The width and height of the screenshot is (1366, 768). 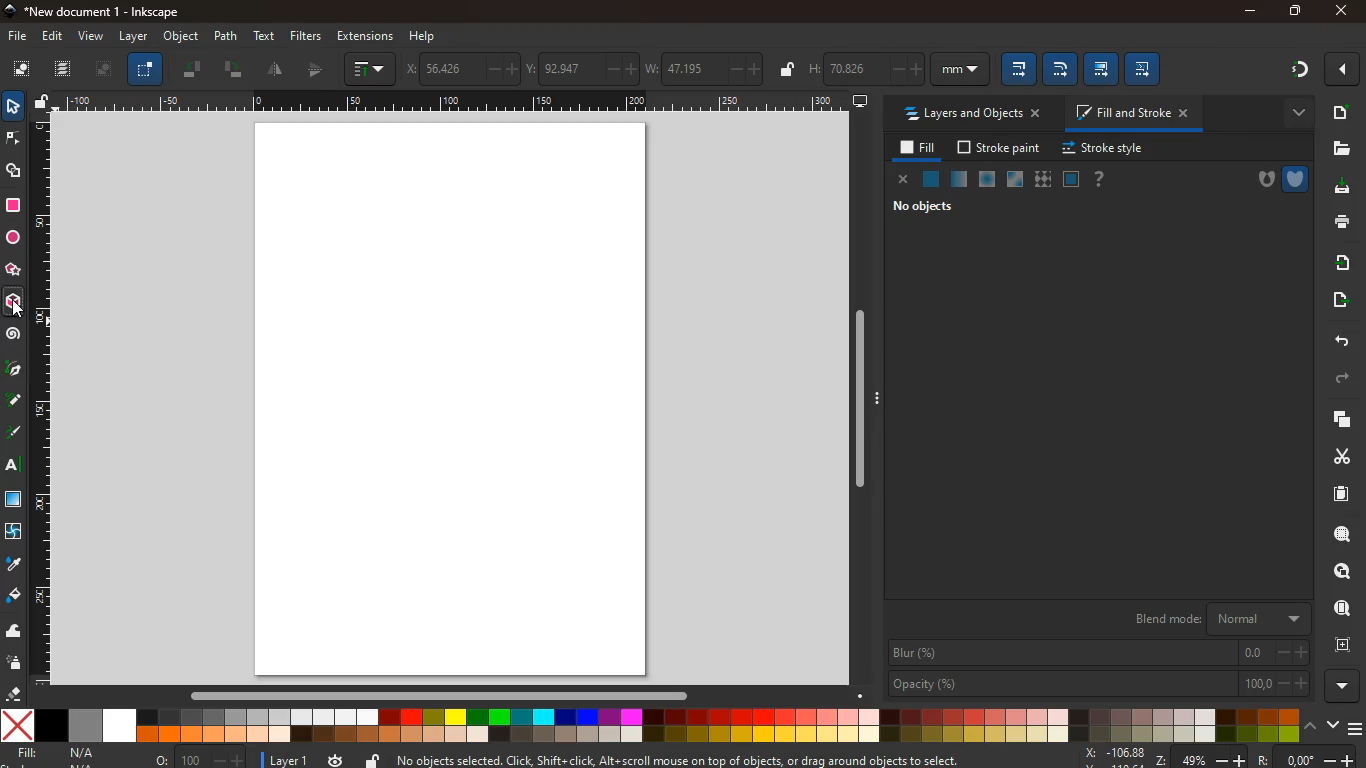 I want to click on stroke paint, so click(x=995, y=148).